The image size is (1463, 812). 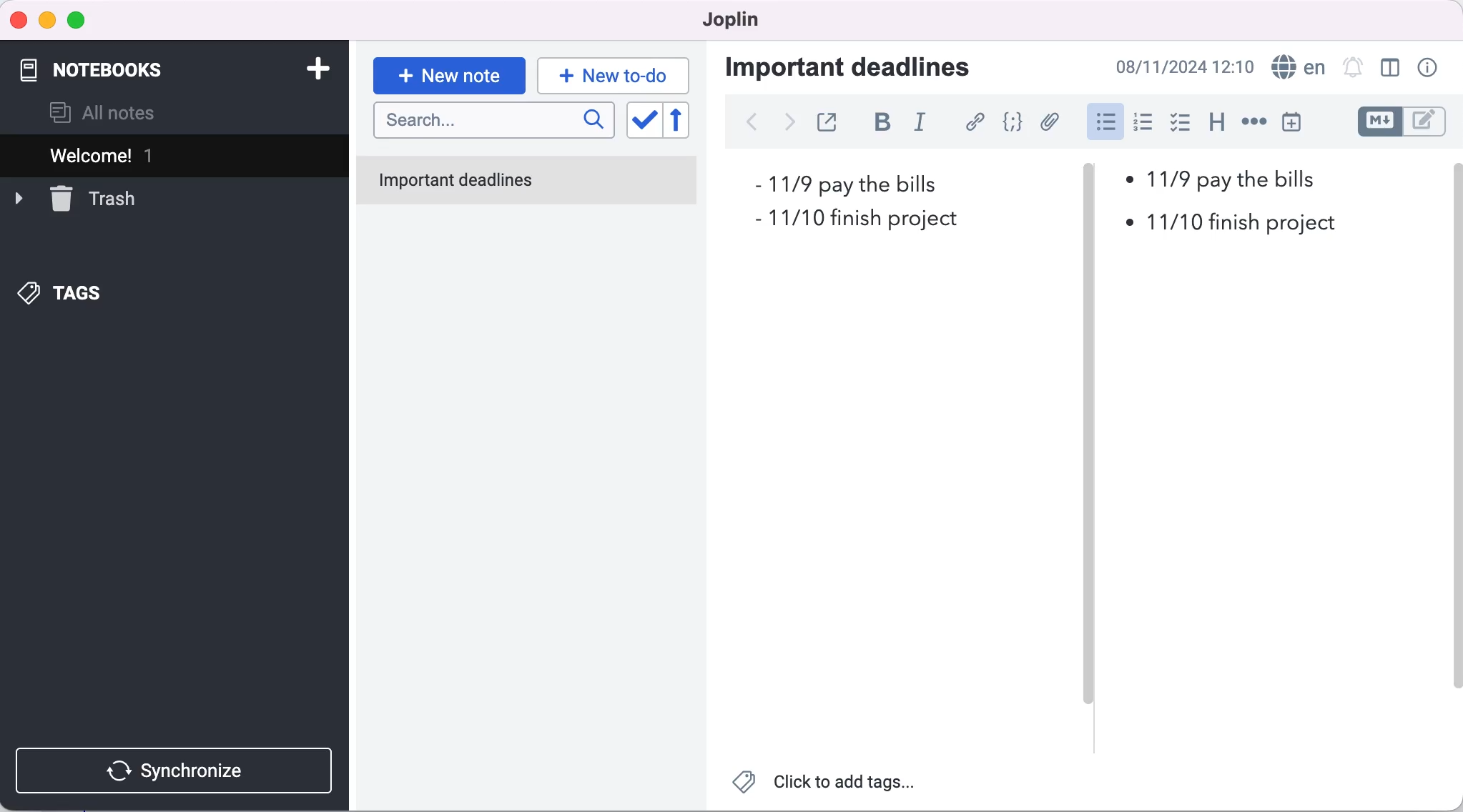 What do you see at coordinates (119, 111) in the screenshot?
I see `all notes` at bounding box center [119, 111].